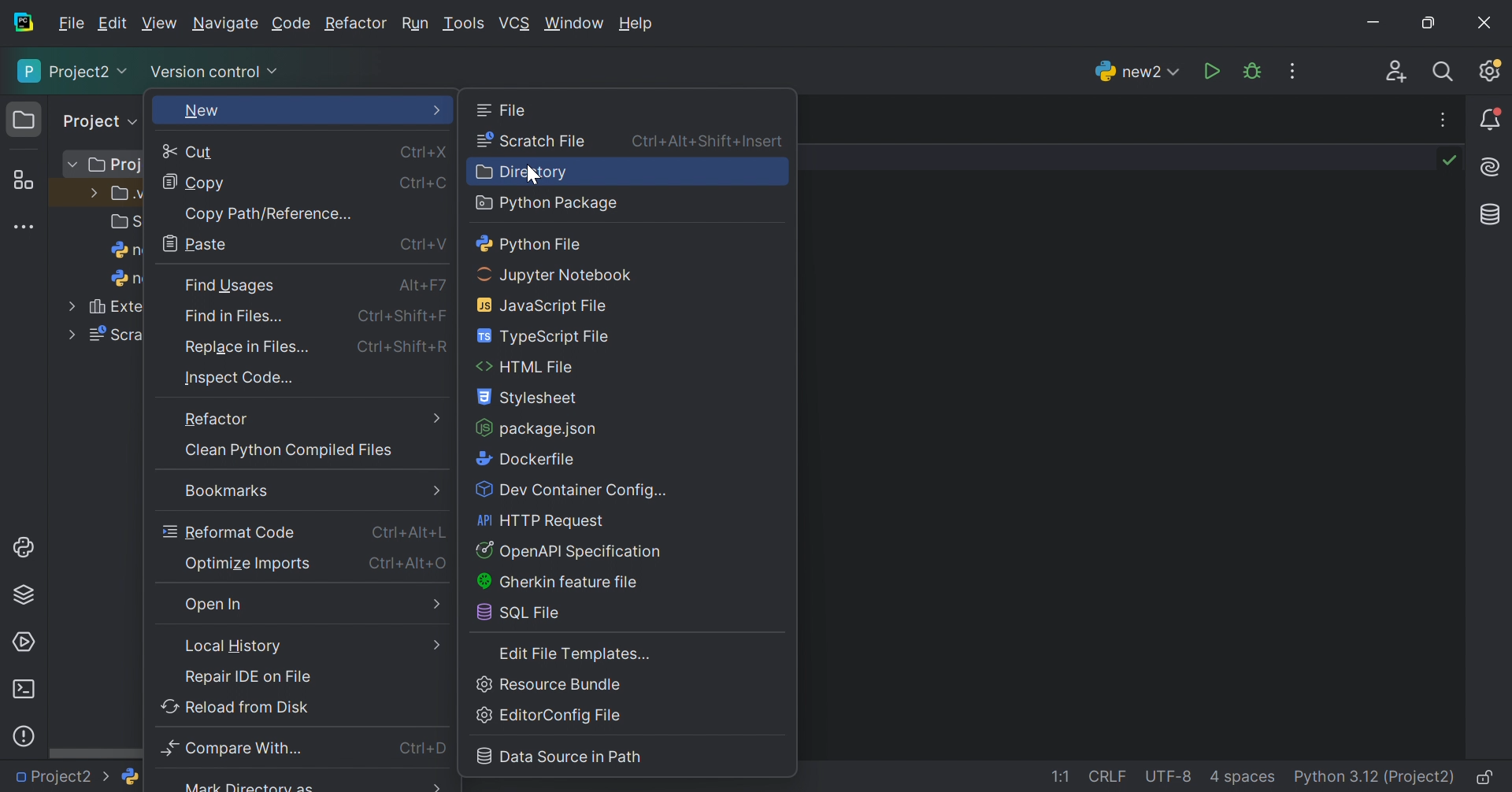  Describe the element at coordinates (401, 317) in the screenshot. I see `Ctrl+Shift+F` at that location.